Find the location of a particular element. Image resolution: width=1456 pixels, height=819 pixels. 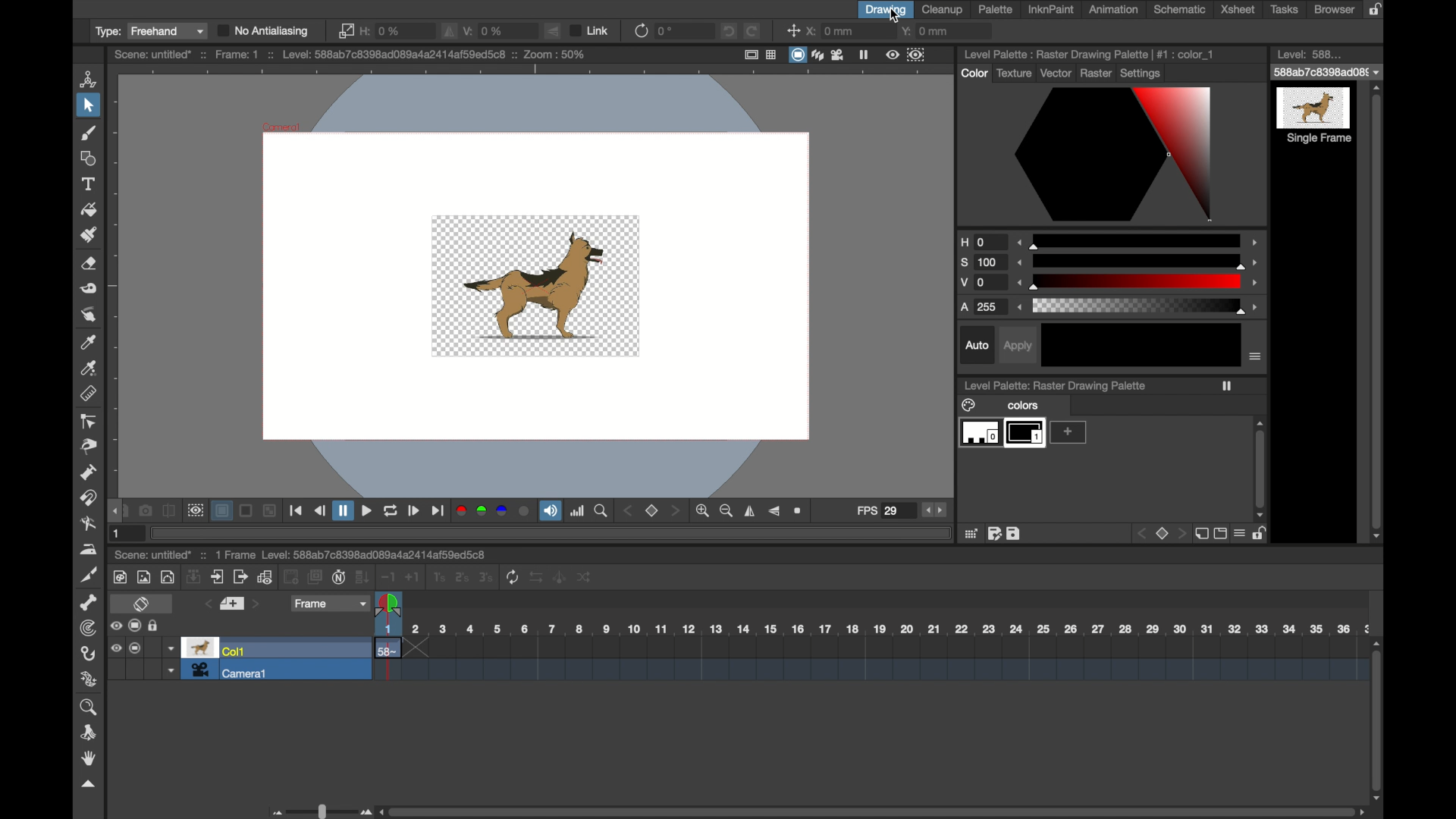

xsheet is located at coordinates (1238, 10).